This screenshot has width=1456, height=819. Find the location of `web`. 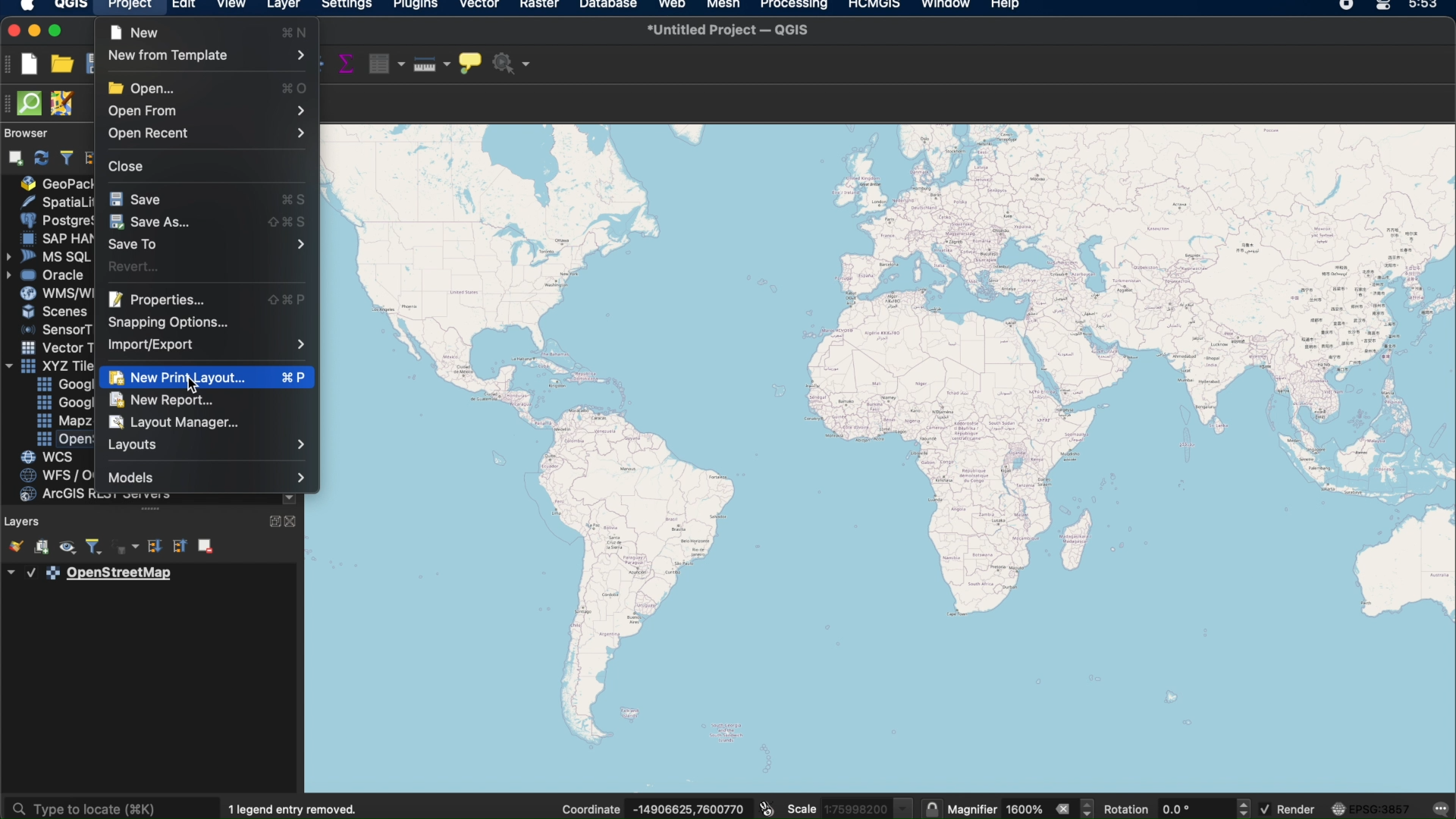

web is located at coordinates (672, 6).